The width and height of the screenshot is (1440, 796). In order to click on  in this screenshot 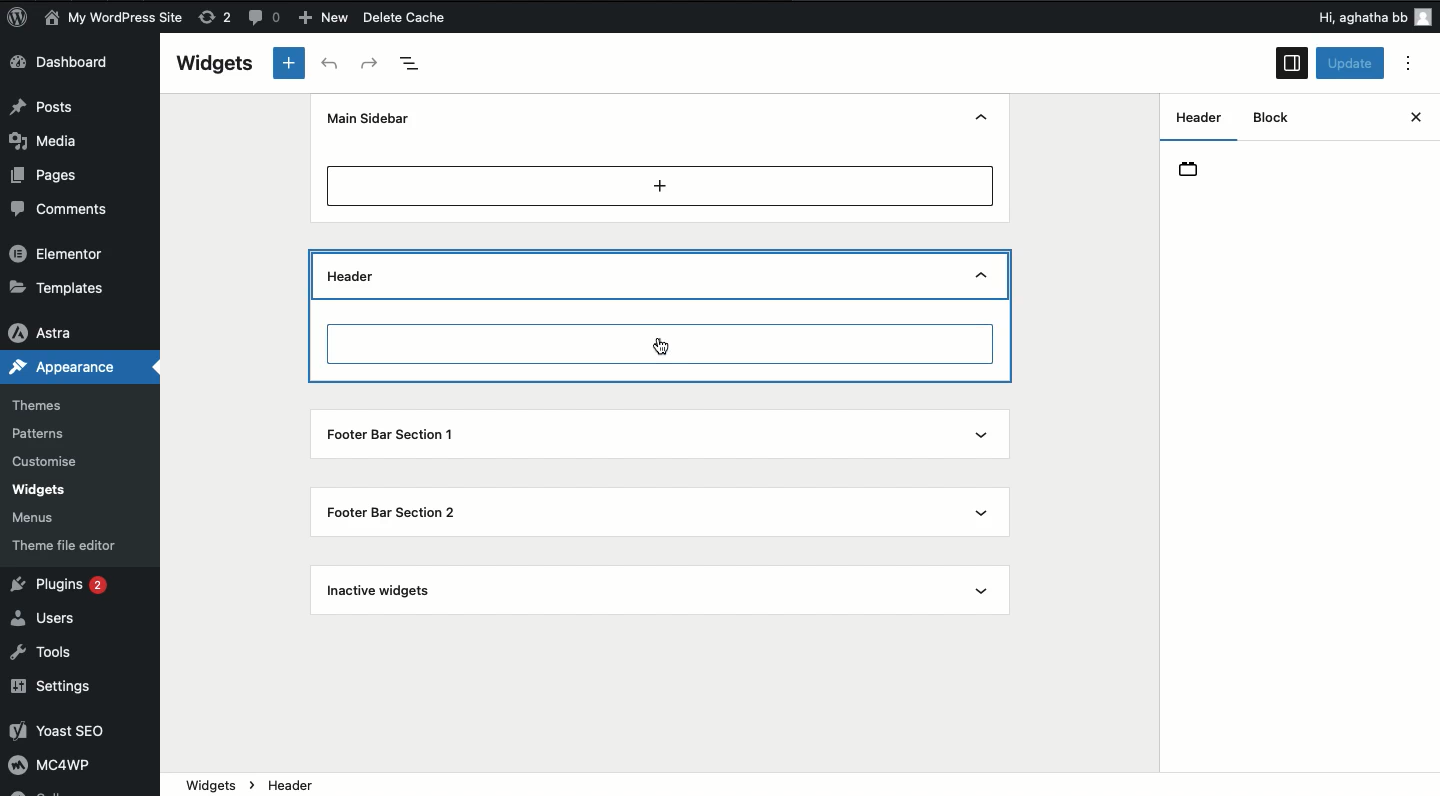, I will do `click(267, 20)`.